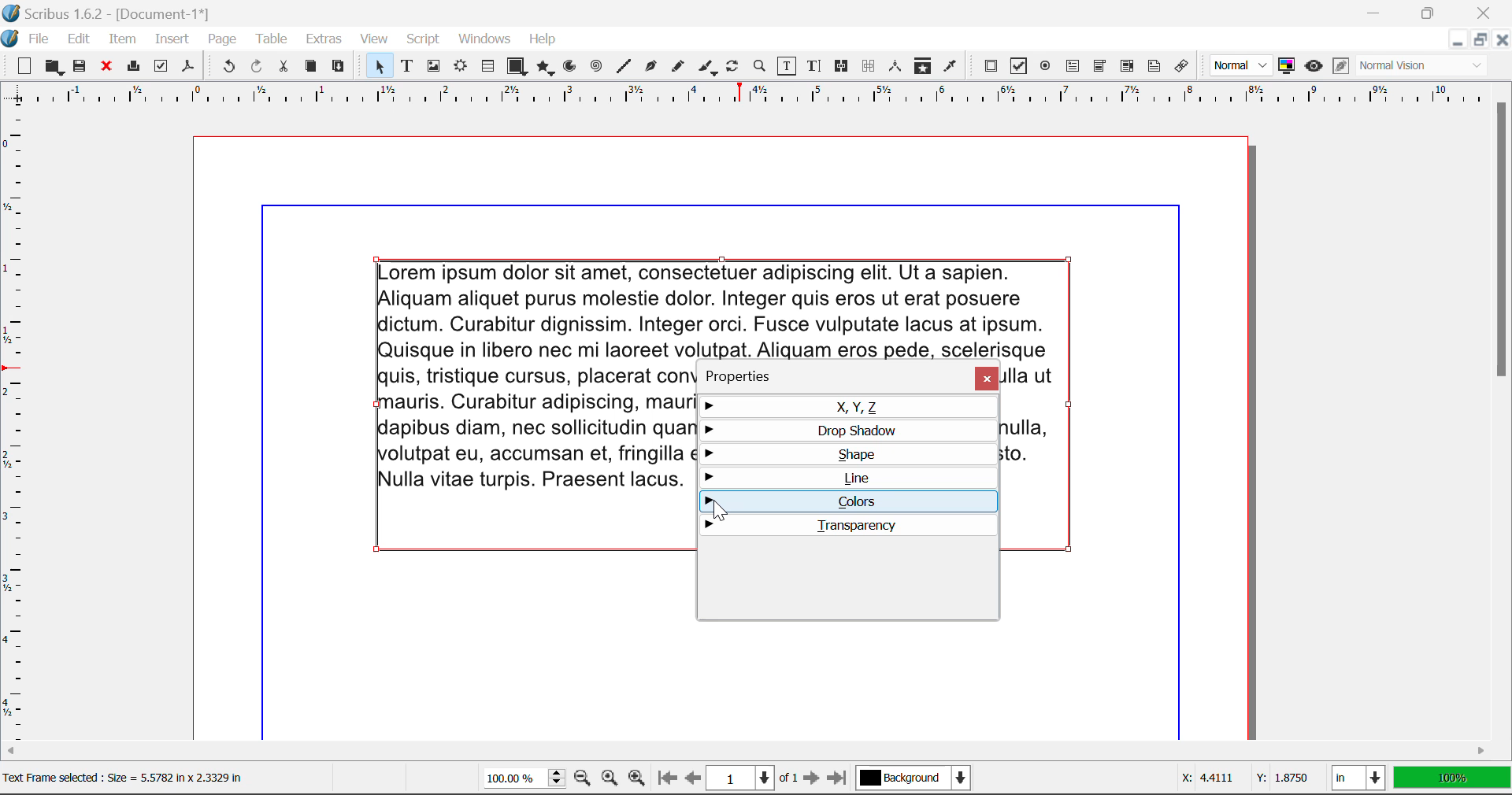  What do you see at coordinates (106, 13) in the screenshot?
I see `Scribus 1.6.2 - [Document-1*]` at bounding box center [106, 13].